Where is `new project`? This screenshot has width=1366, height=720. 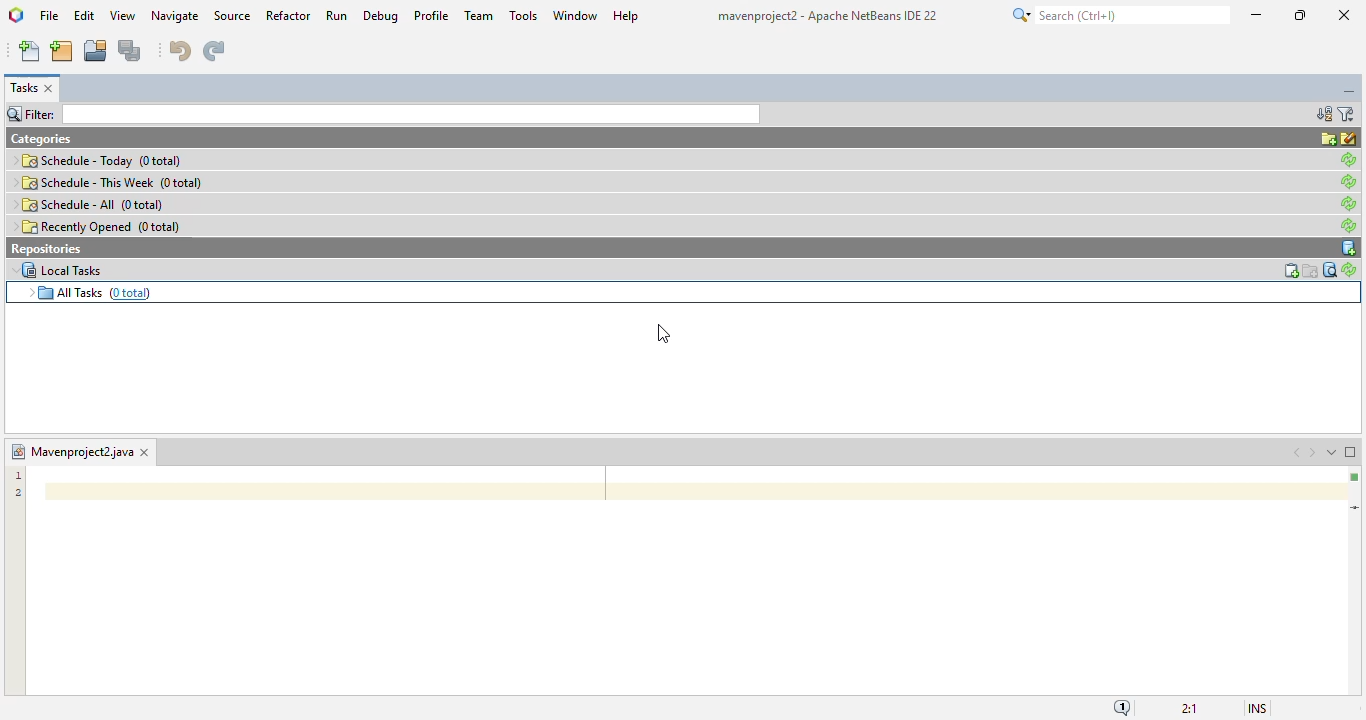 new project is located at coordinates (62, 51).